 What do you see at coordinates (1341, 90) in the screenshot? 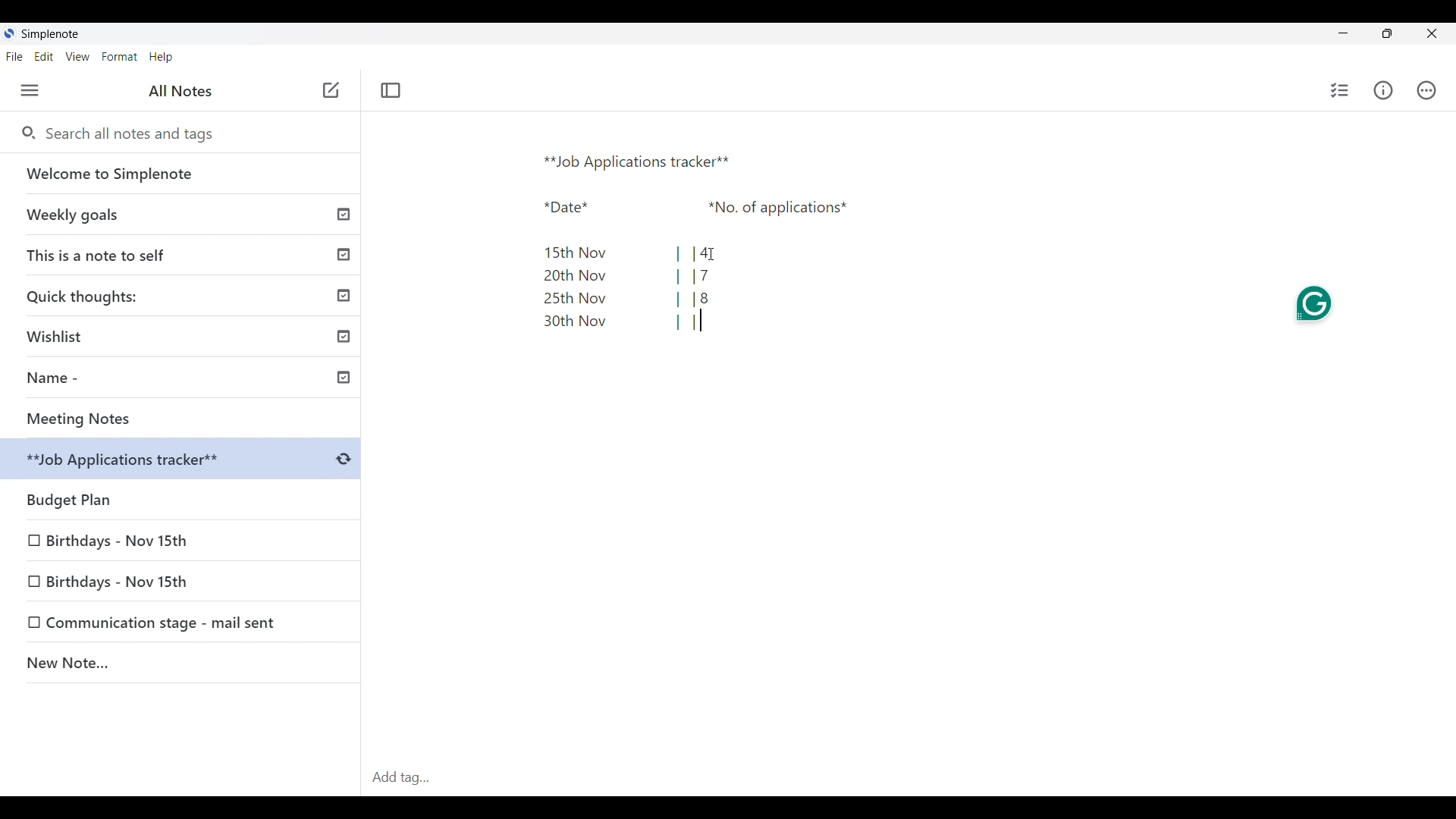
I see `Click to insert checklist` at bounding box center [1341, 90].